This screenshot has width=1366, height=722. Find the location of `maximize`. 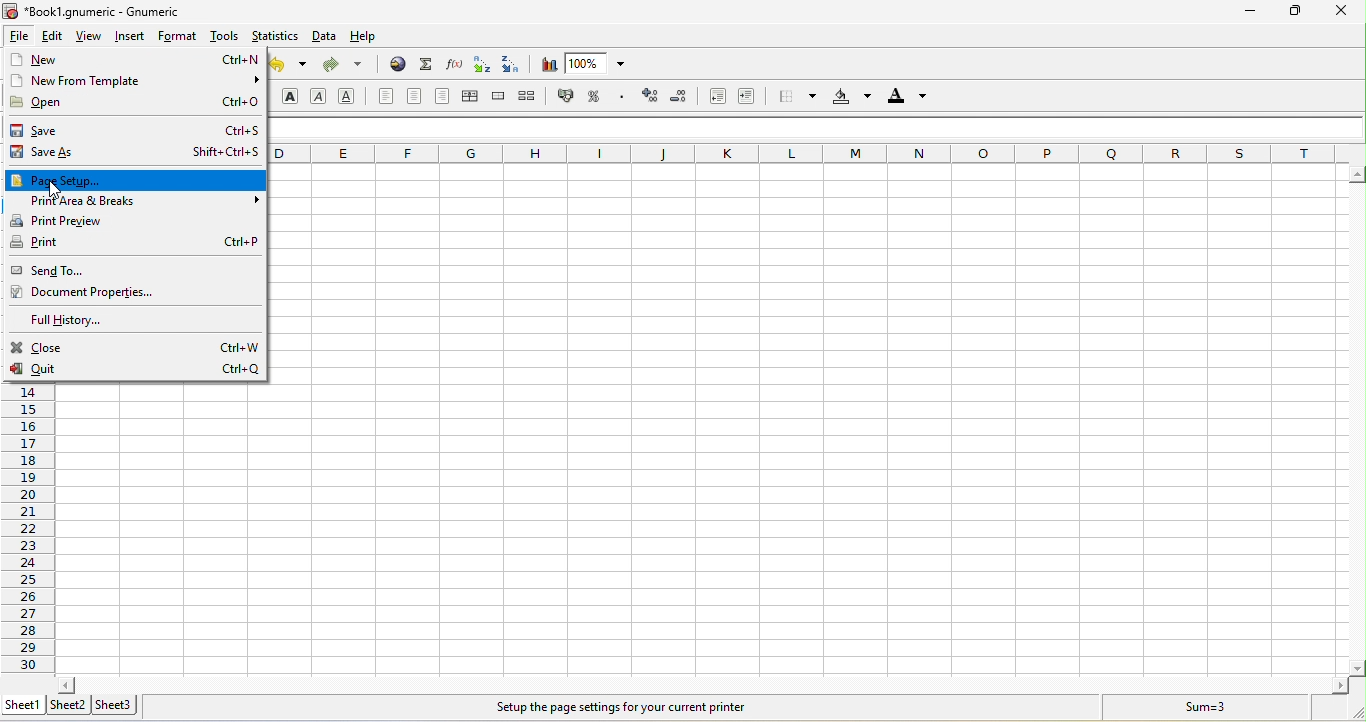

maximize is located at coordinates (1291, 12).